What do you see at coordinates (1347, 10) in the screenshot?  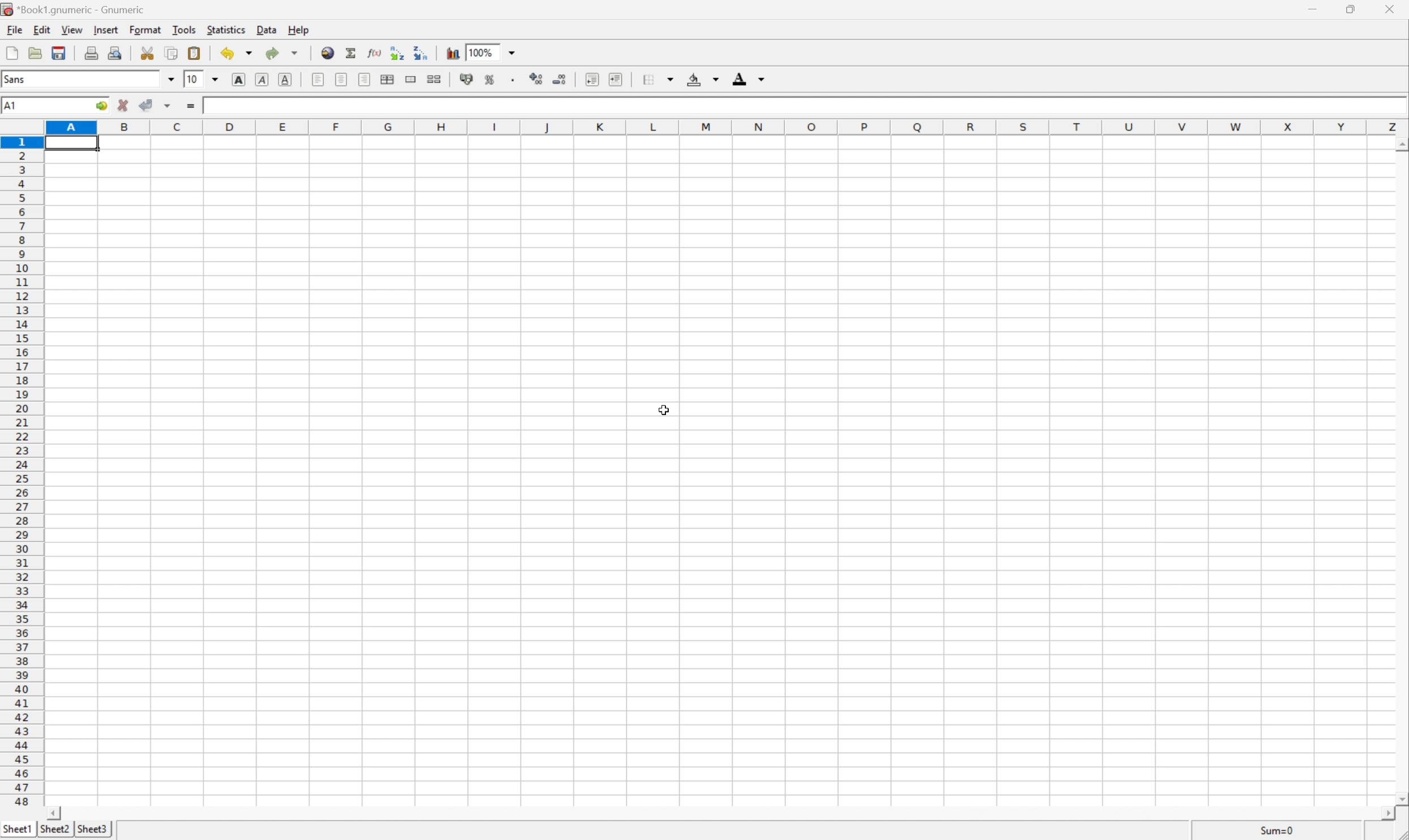 I see `Restore Down` at bounding box center [1347, 10].